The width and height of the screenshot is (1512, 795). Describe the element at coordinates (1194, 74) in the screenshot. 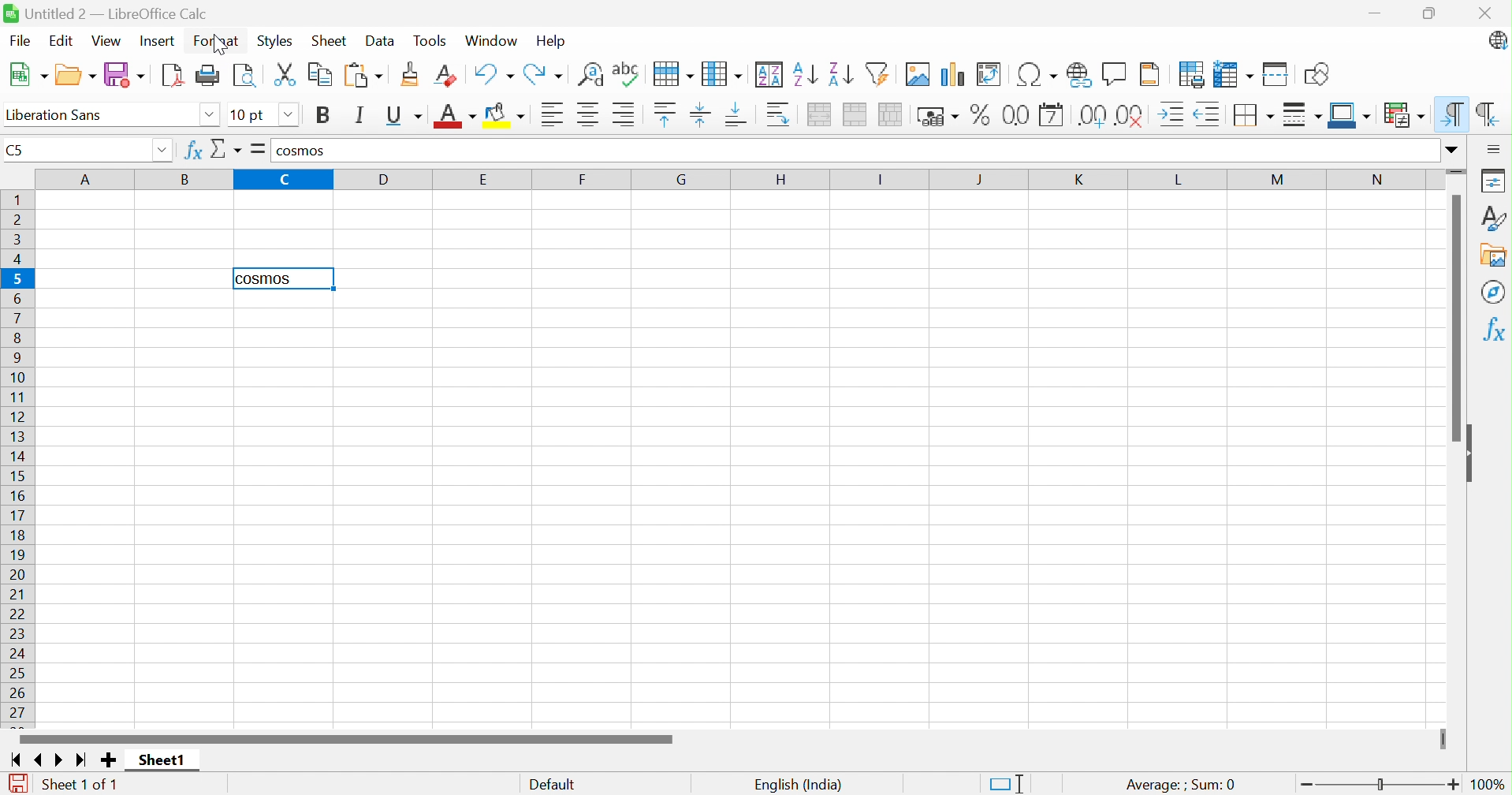

I see `Define print area` at that location.